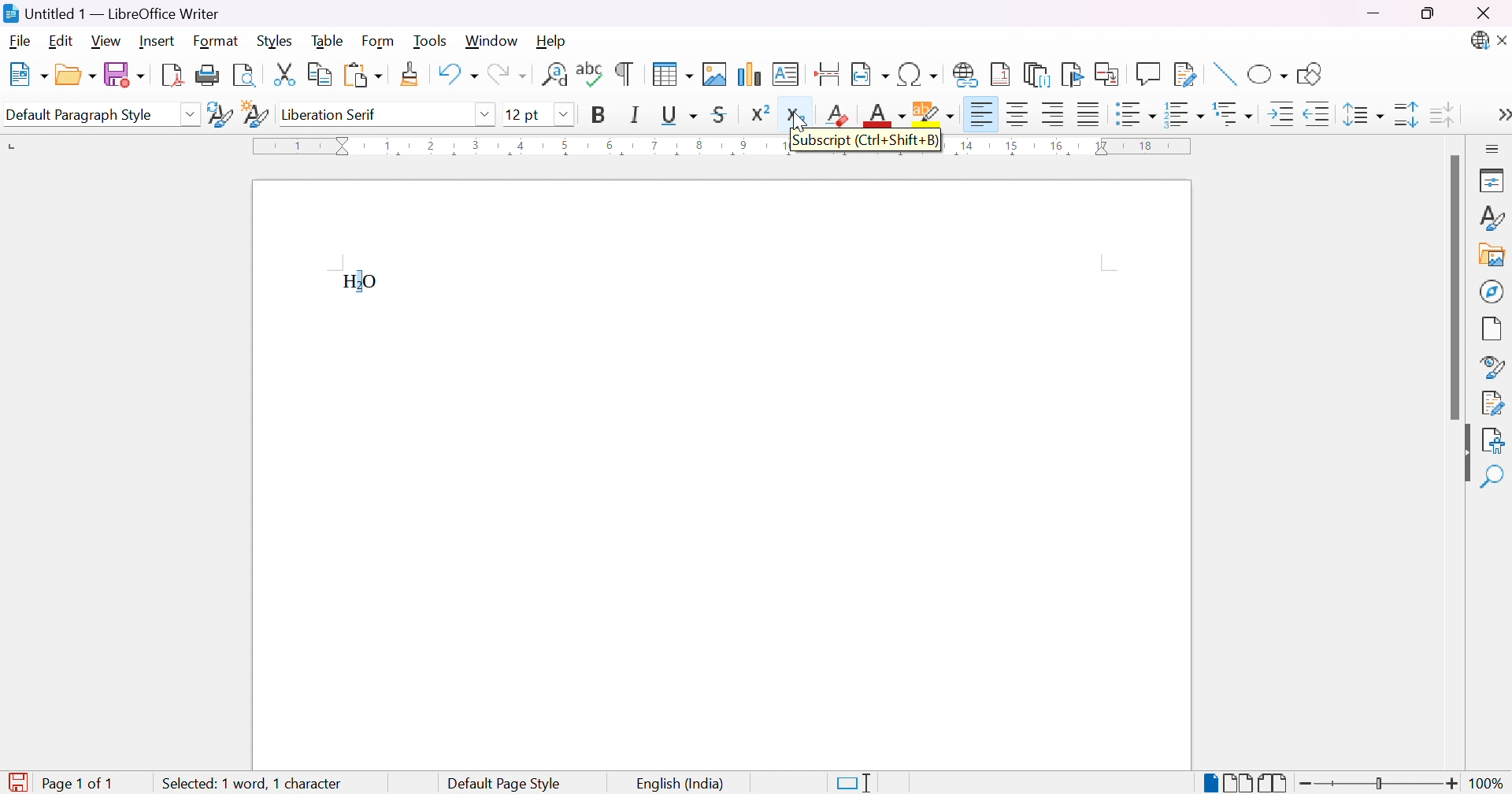 This screenshot has width=1512, height=794. Describe the element at coordinates (591, 74) in the screenshot. I see `Check spelling` at that location.